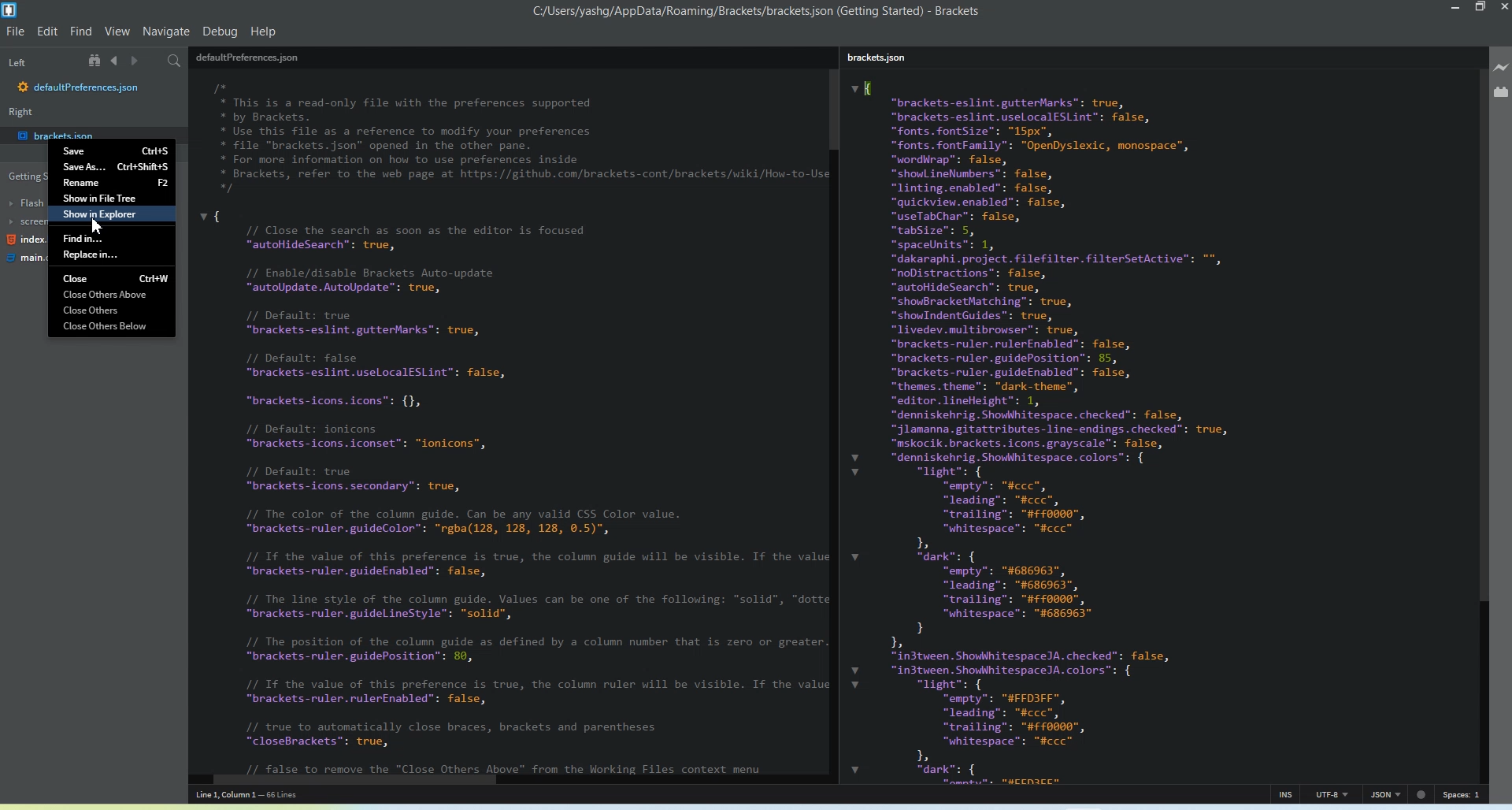 The image size is (1512, 810). What do you see at coordinates (263, 31) in the screenshot?
I see `Help` at bounding box center [263, 31].